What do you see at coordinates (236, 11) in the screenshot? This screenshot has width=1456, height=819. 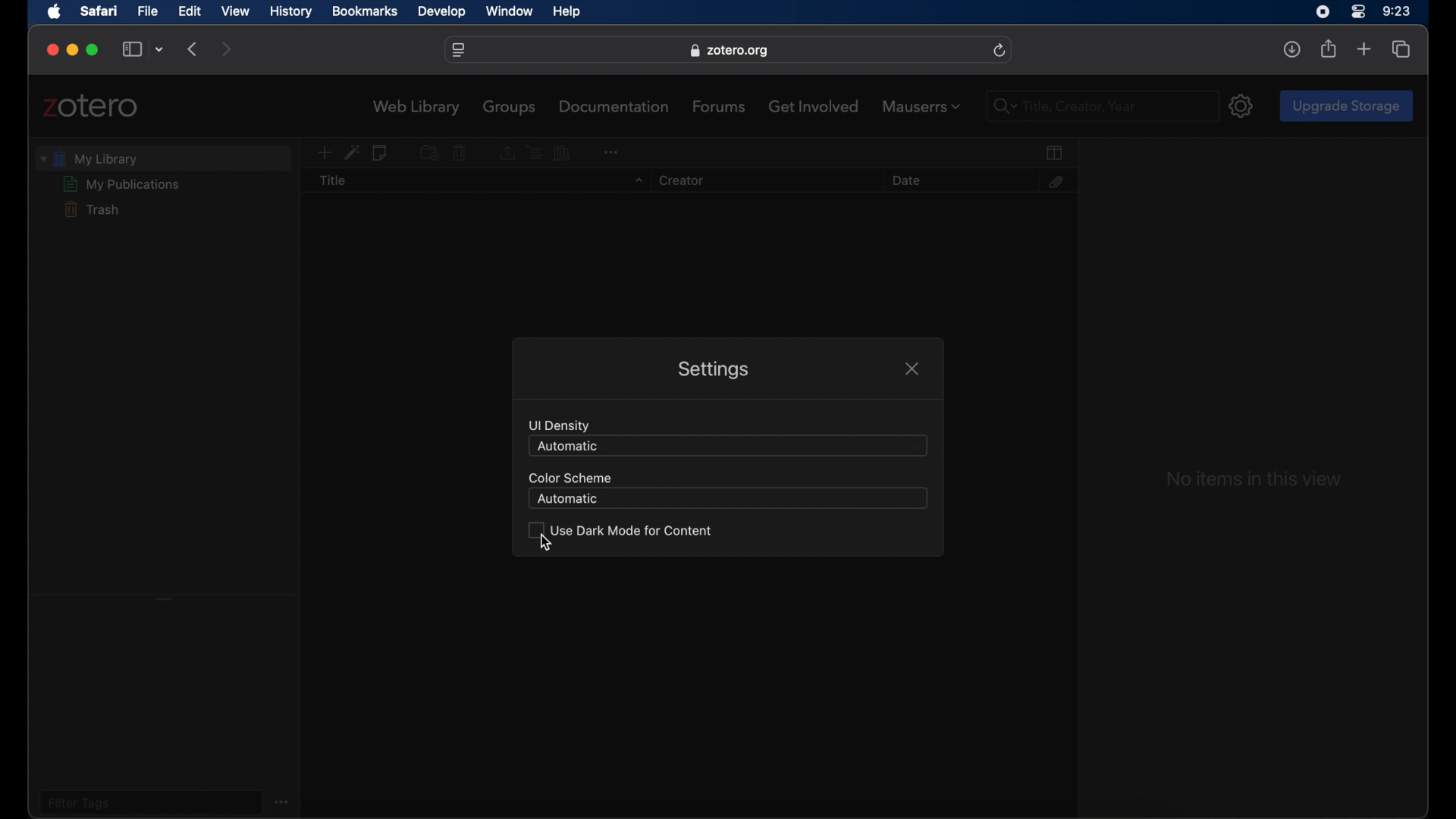 I see `view` at bounding box center [236, 11].